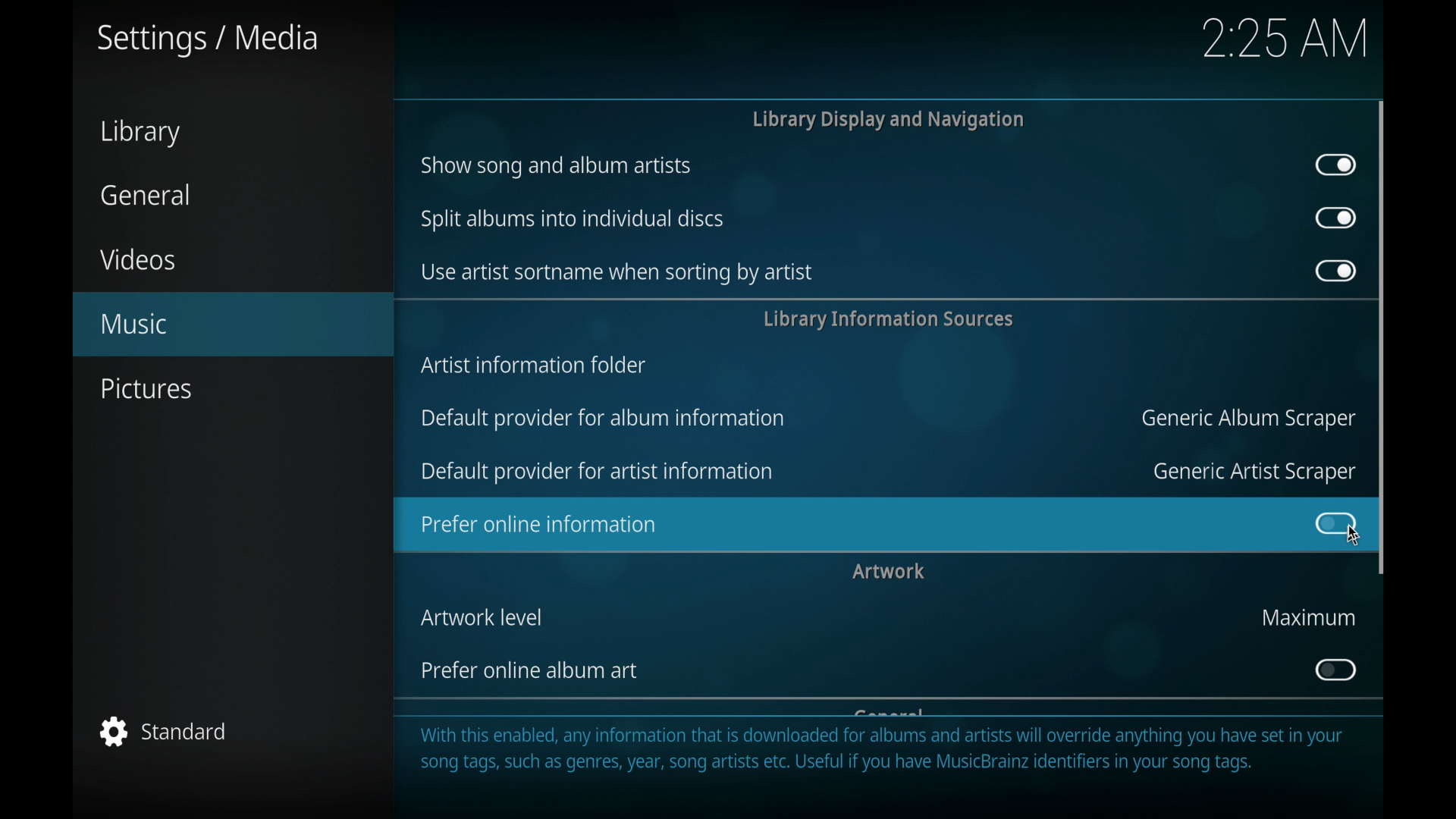 Image resolution: width=1456 pixels, height=819 pixels. Describe the element at coordinates (528, 670) in the screenshot. I see `prefer online album art` at that location.